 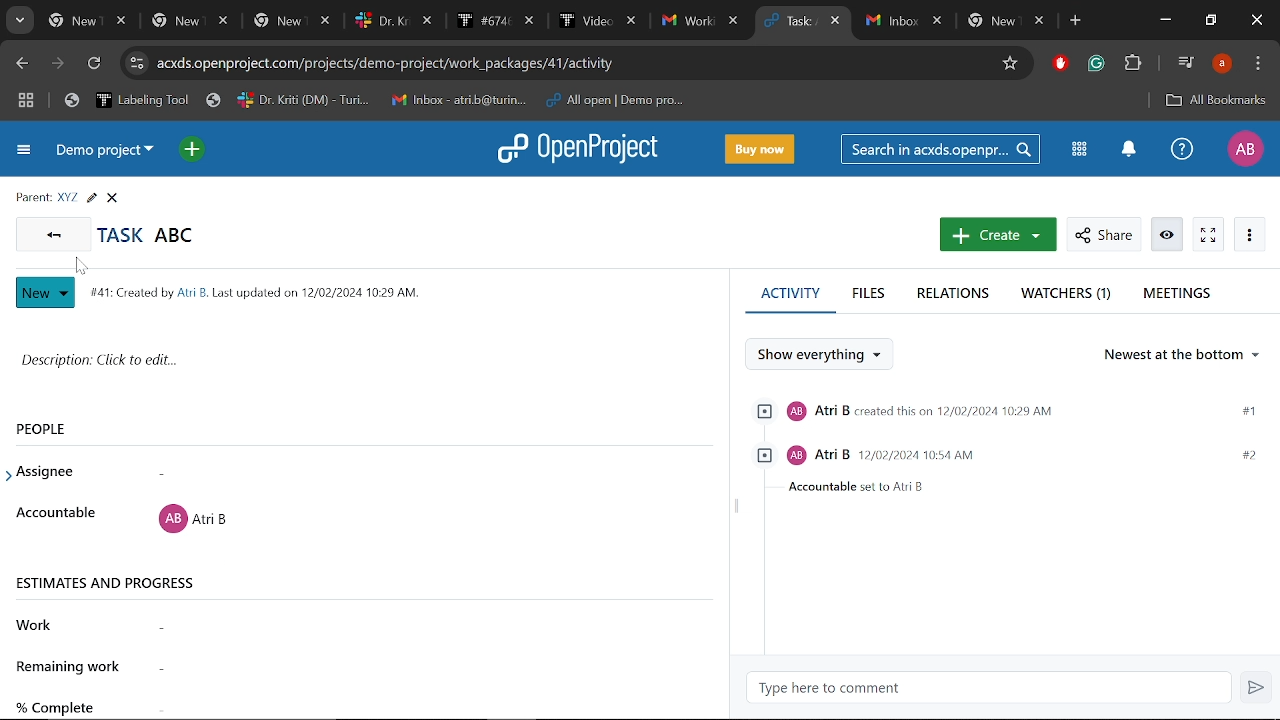 What do you see at coordinates (84, 264) in the screenshot?
I see `cursor` at bounding box center [84, 264].